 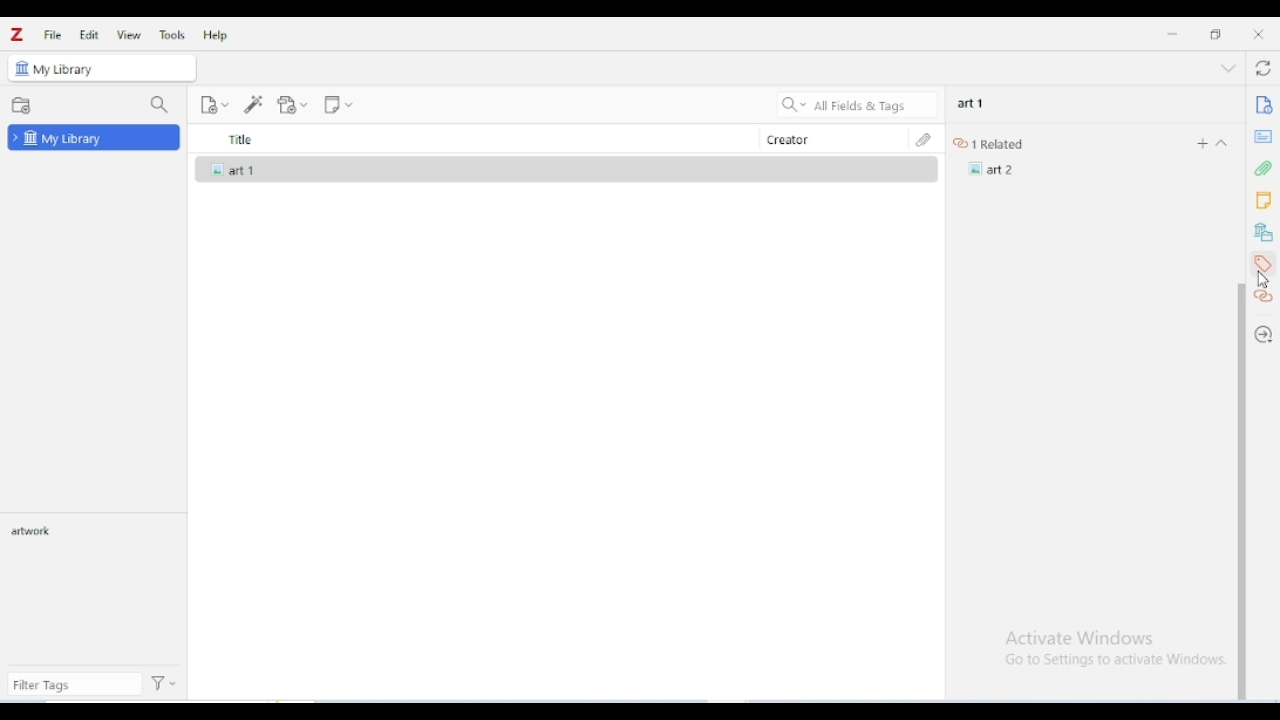 What do you see at coordinates (1229, 69) in the screenshot?
I see `collapse section` at bounding box center [1229, 69].